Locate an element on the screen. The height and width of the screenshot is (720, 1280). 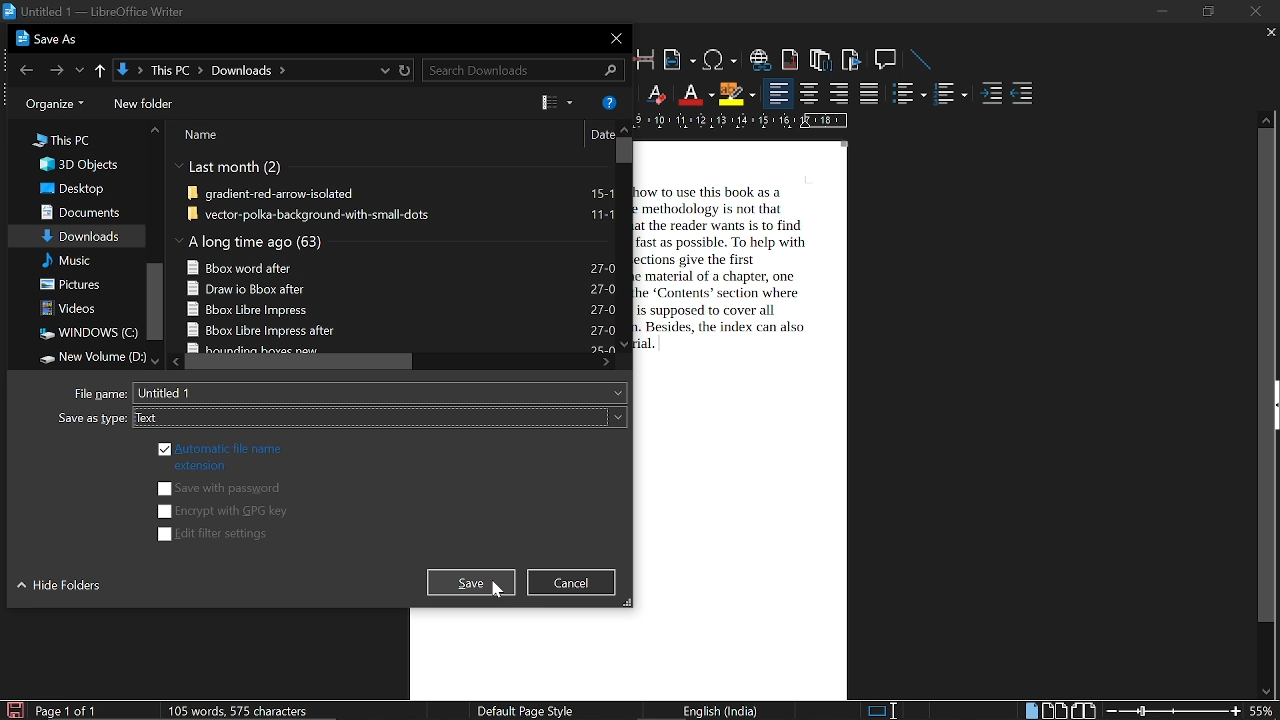
Documents is located at coordinates (78, 211).